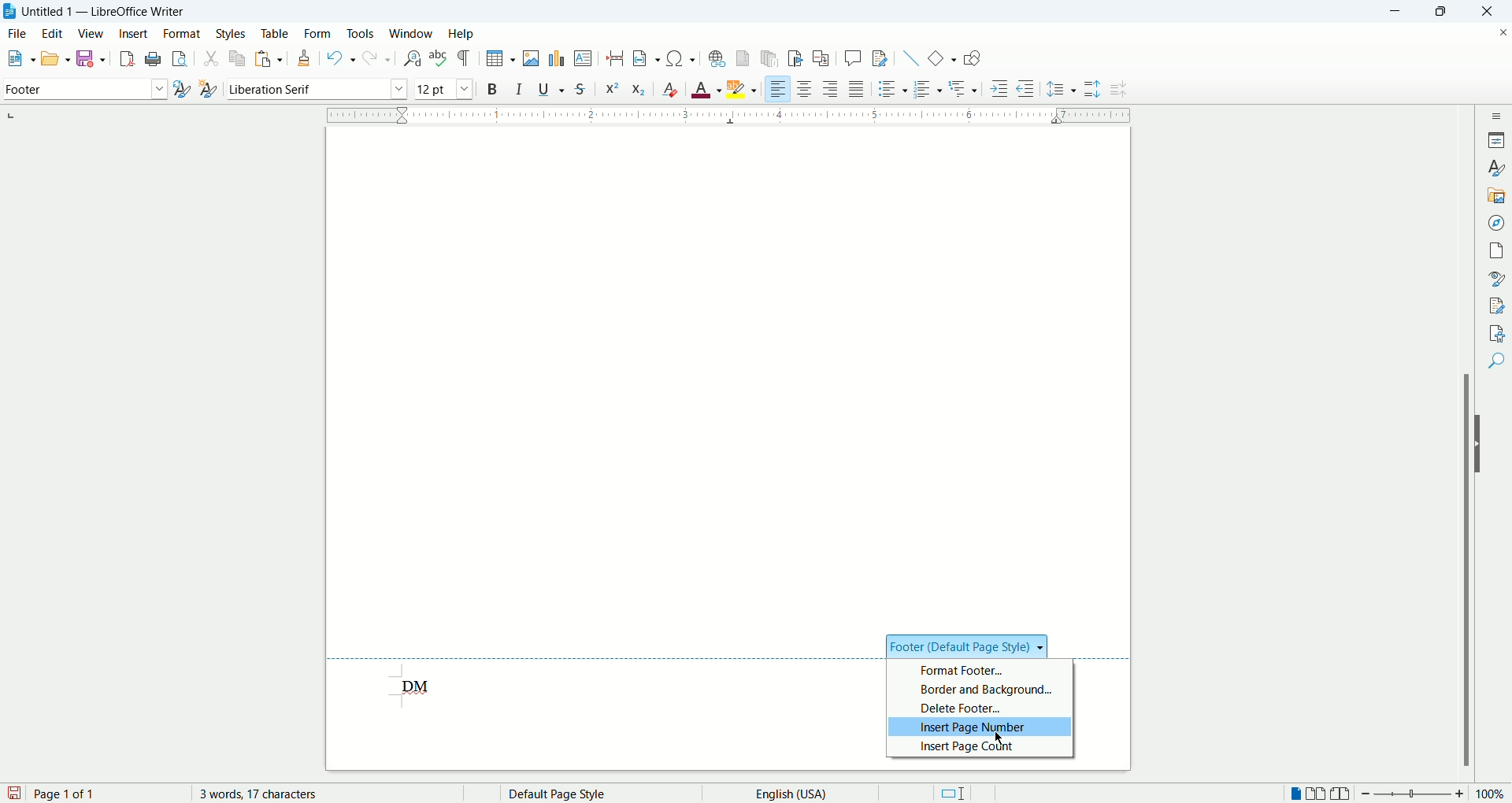 The height and width of the screenshot is (803, 1512). Describe the element at coordinates (1497, 332) in the screenshot. I see `accessibility check` at that location.